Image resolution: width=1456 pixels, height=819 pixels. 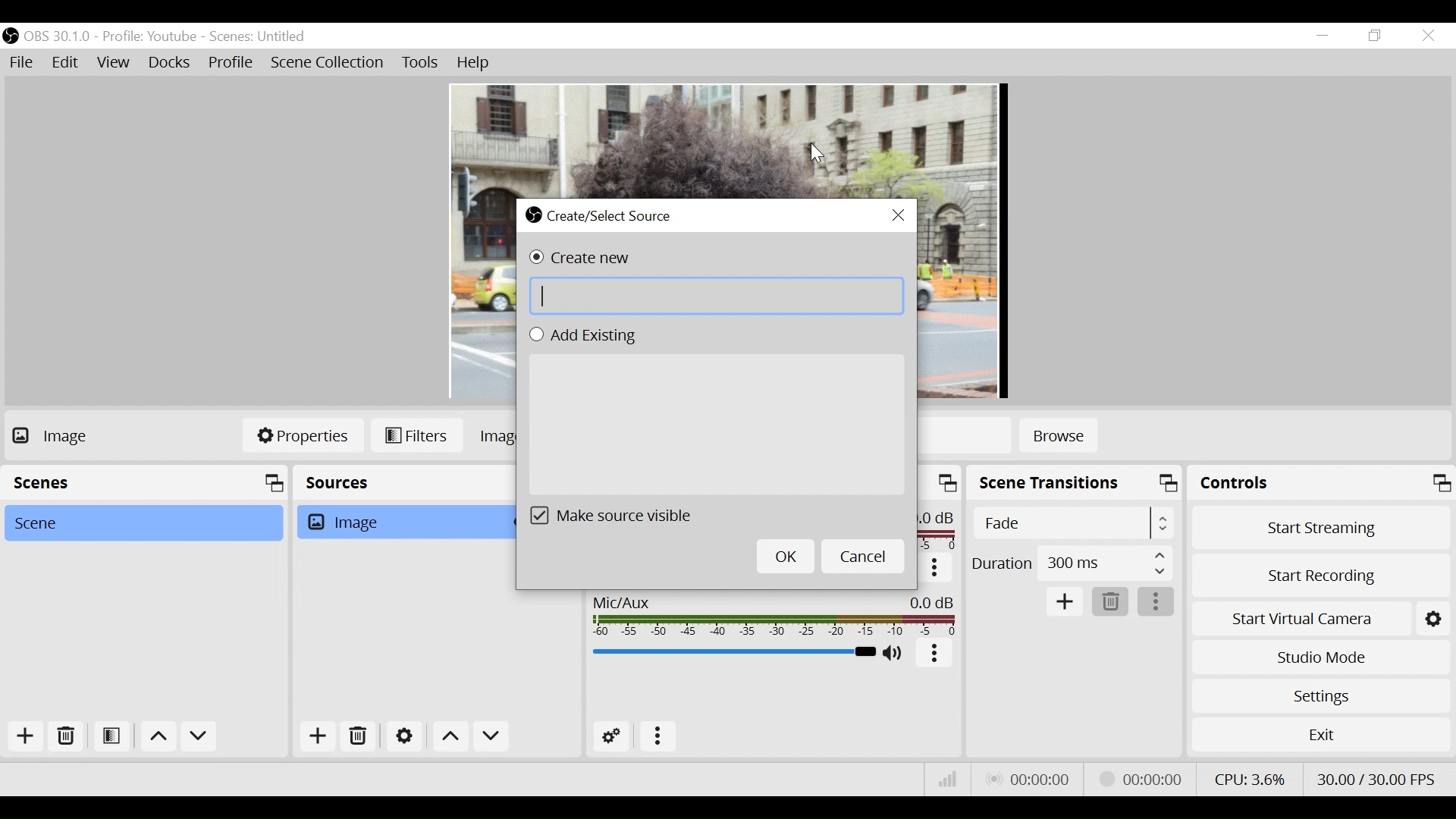 What do you see at coordinates (949, 779) in the screenshot?
I see `Bitrate` at bounding box center [949, 779].